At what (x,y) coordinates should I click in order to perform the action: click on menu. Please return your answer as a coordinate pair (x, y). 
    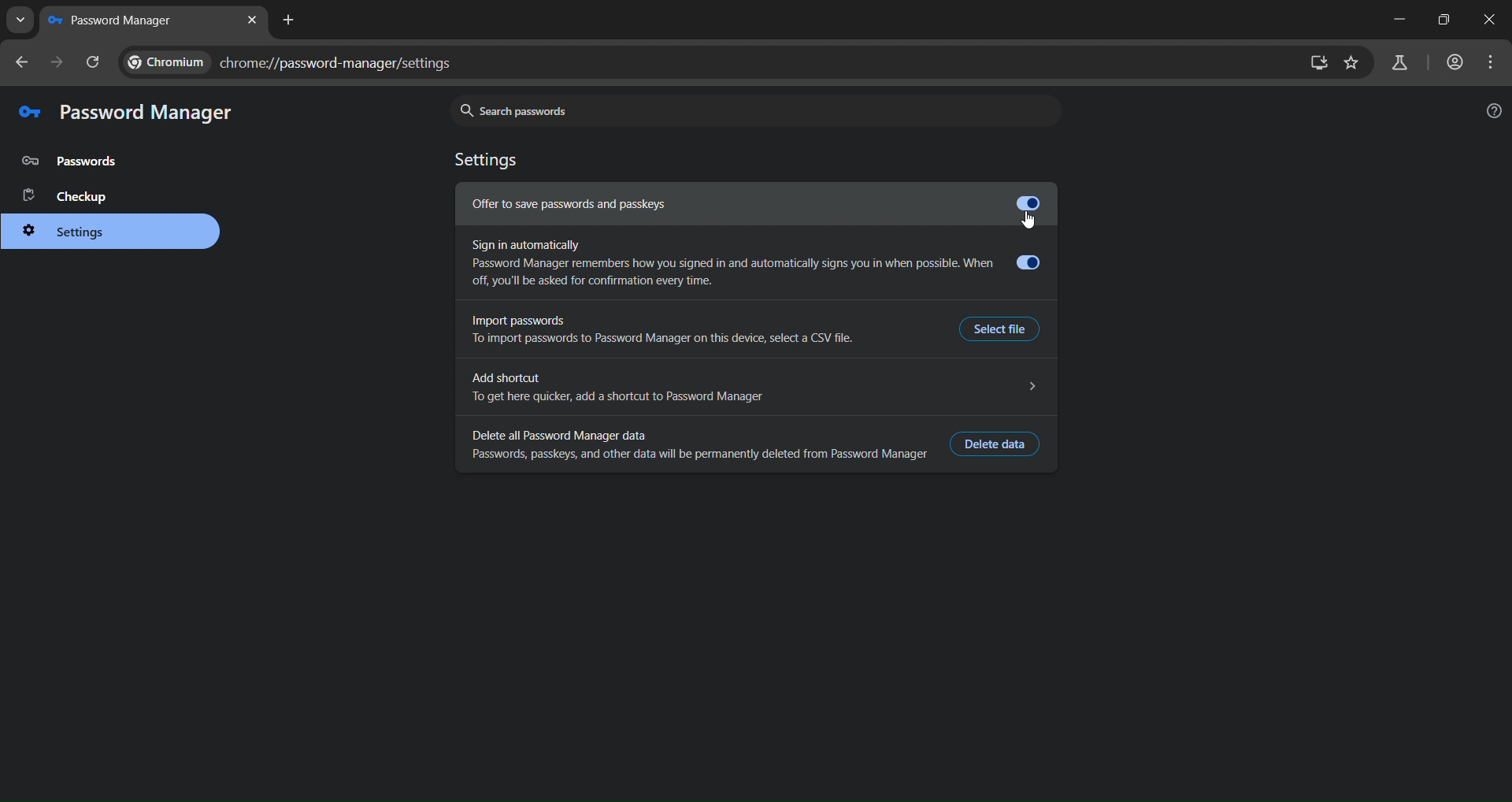
    Looking at the image, I should click on (1492, 64).